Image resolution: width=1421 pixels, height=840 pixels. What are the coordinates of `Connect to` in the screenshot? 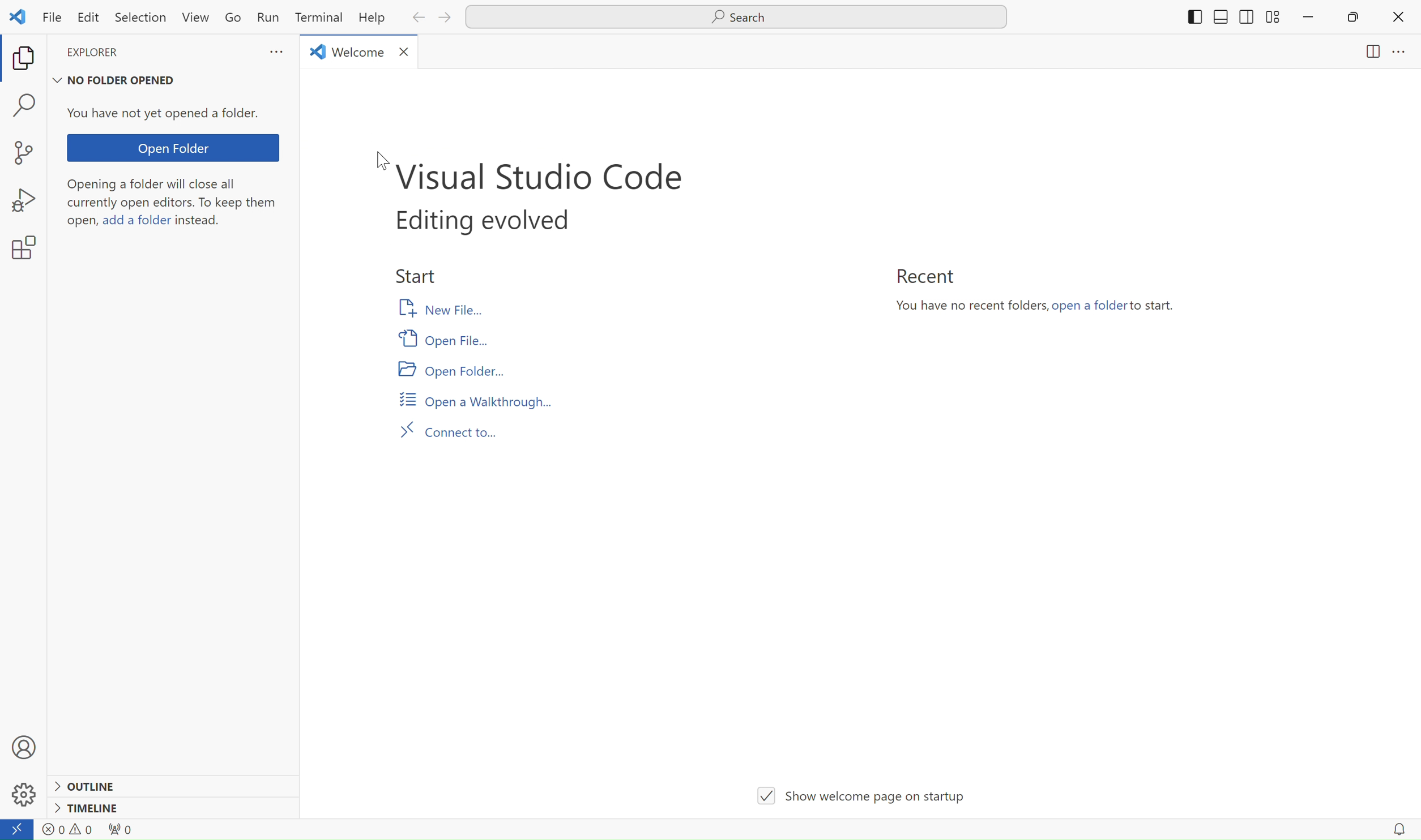 It's located at (449, 428).